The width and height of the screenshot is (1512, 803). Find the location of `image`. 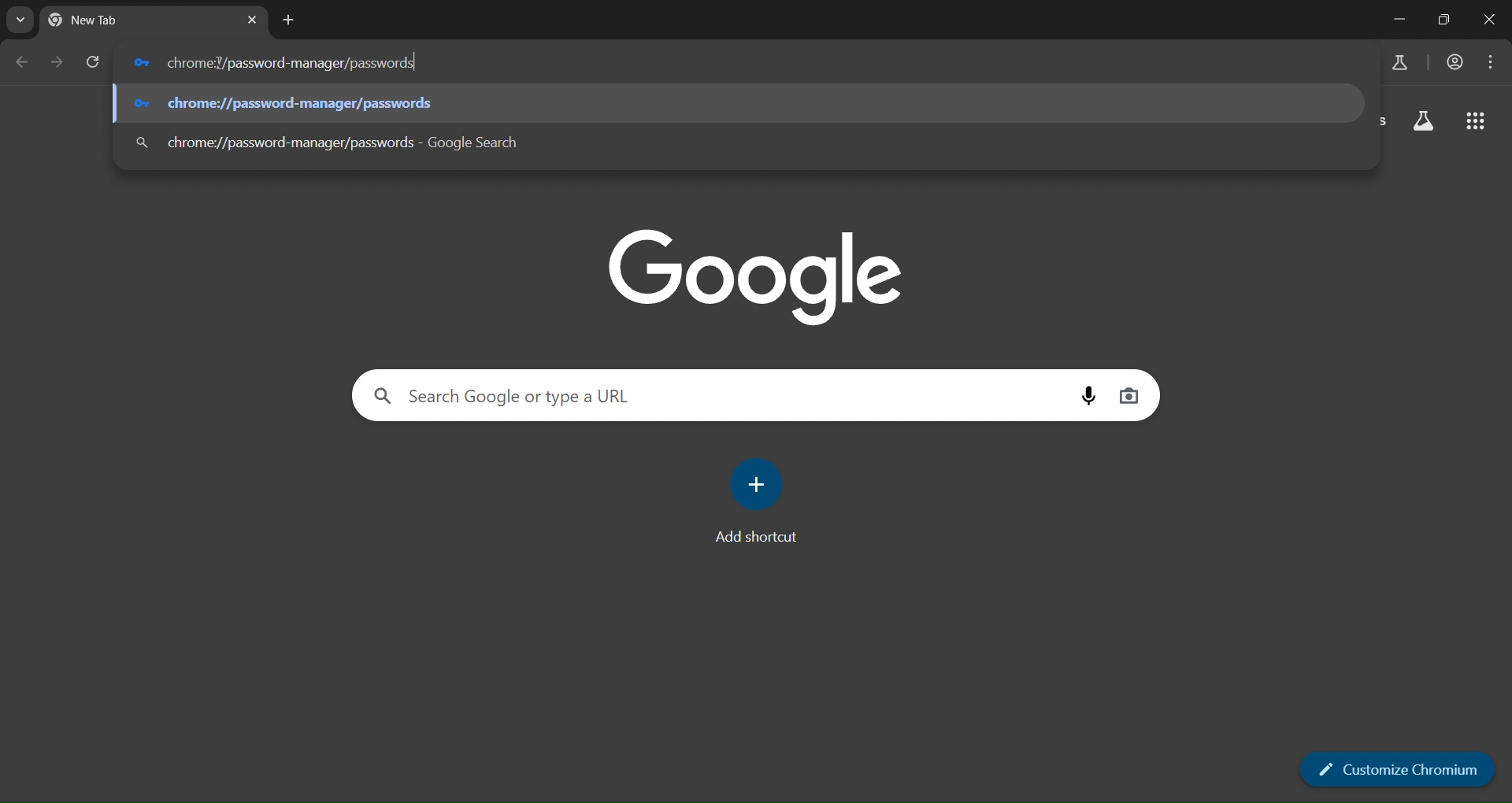

image is located at coordinates (769, 274).